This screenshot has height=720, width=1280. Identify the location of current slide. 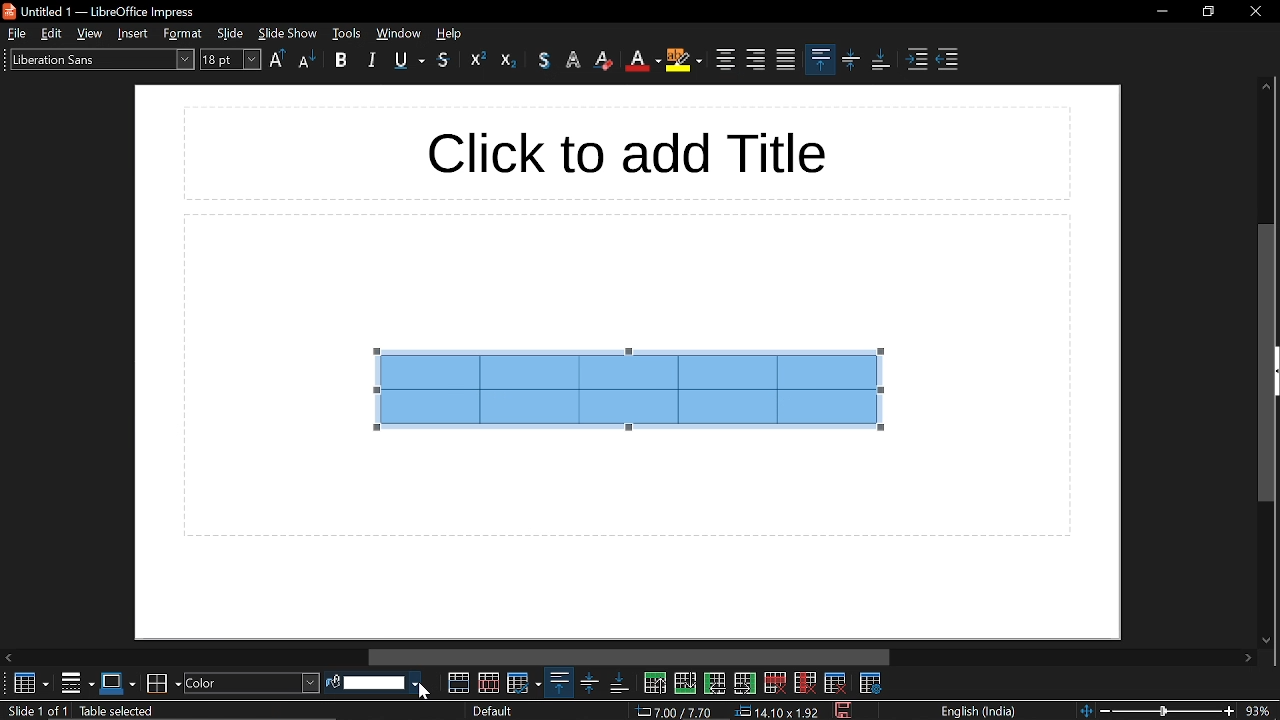
(34, 712).